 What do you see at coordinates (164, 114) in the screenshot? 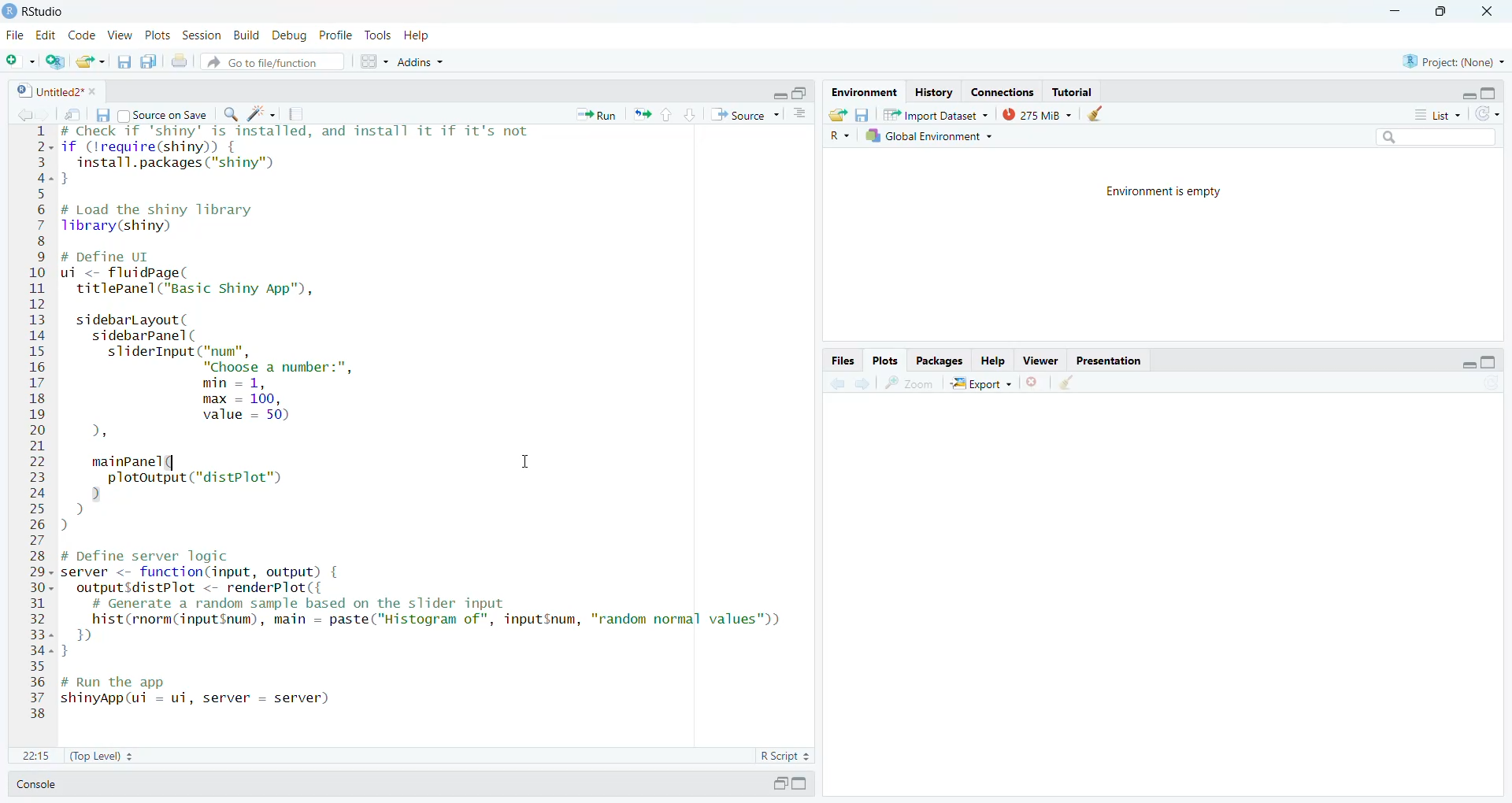
I see `source on save checkbox` at bounding box center [164, 114].